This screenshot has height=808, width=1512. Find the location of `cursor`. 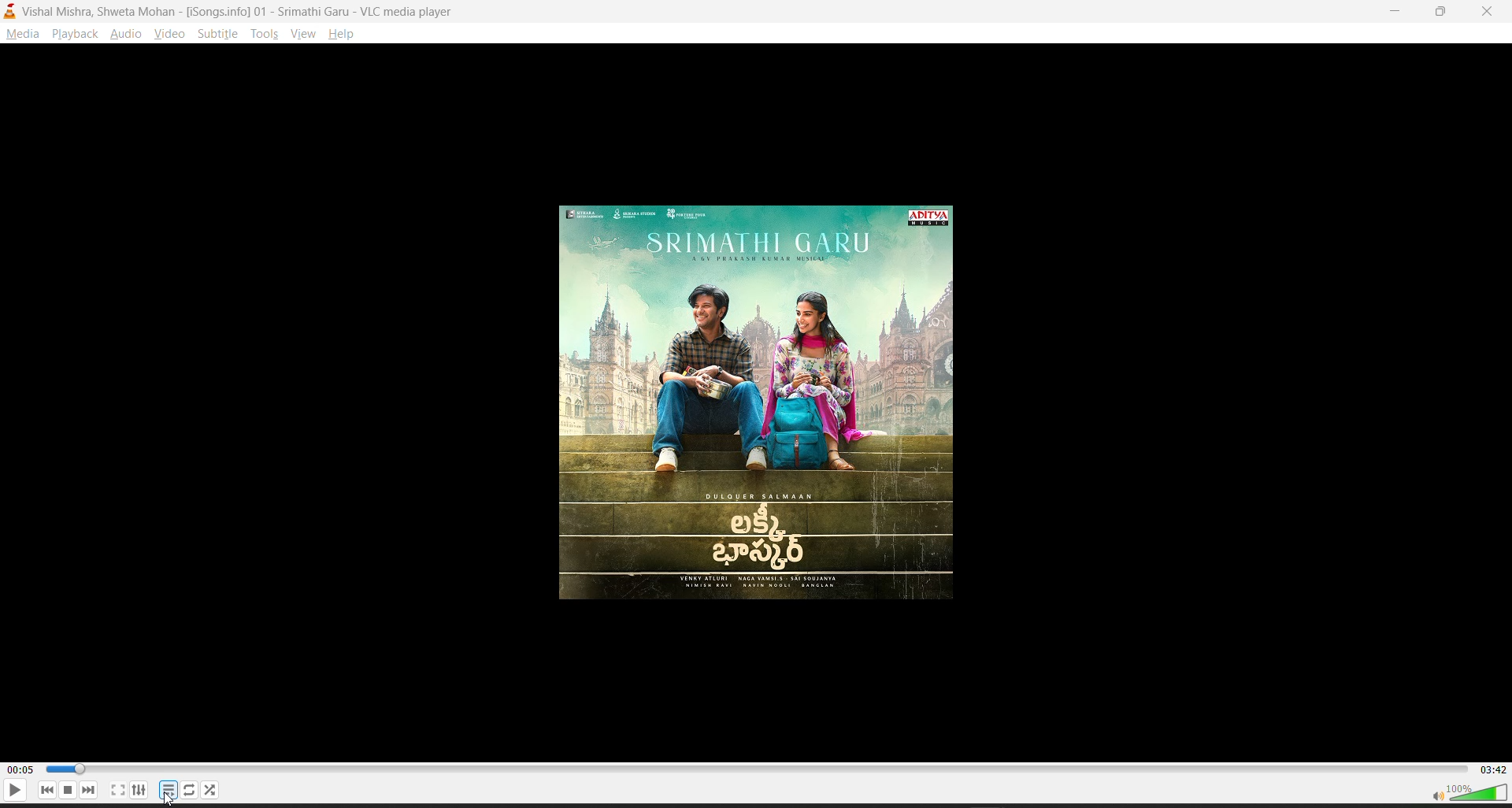

cursor is located at coordinates (169, 799).